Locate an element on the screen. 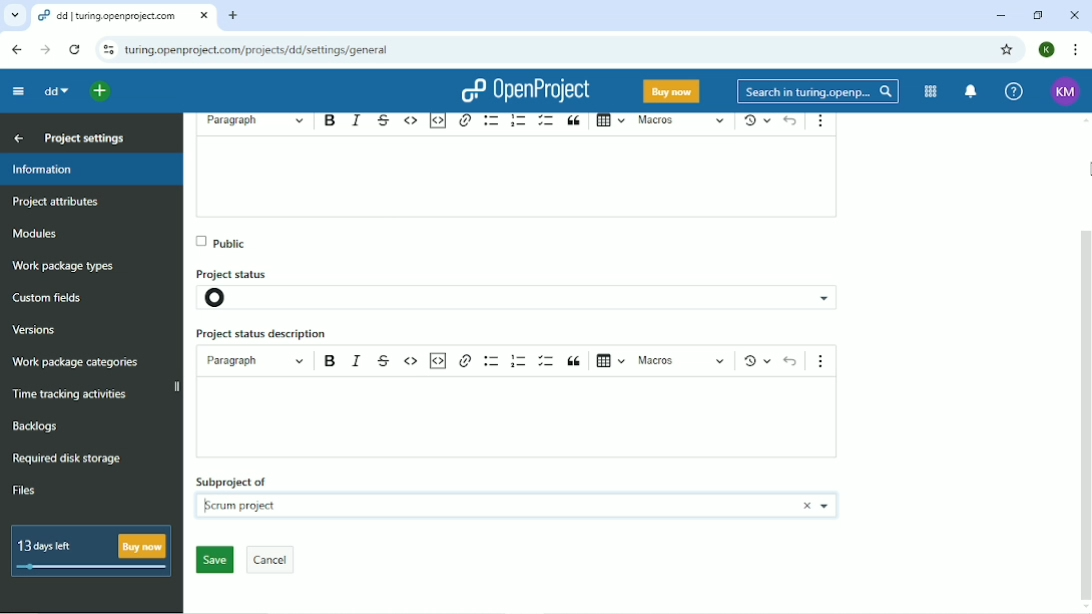 This screenshot has width=1092, height=614. Wok package categories is located at coordinates (76, 363).